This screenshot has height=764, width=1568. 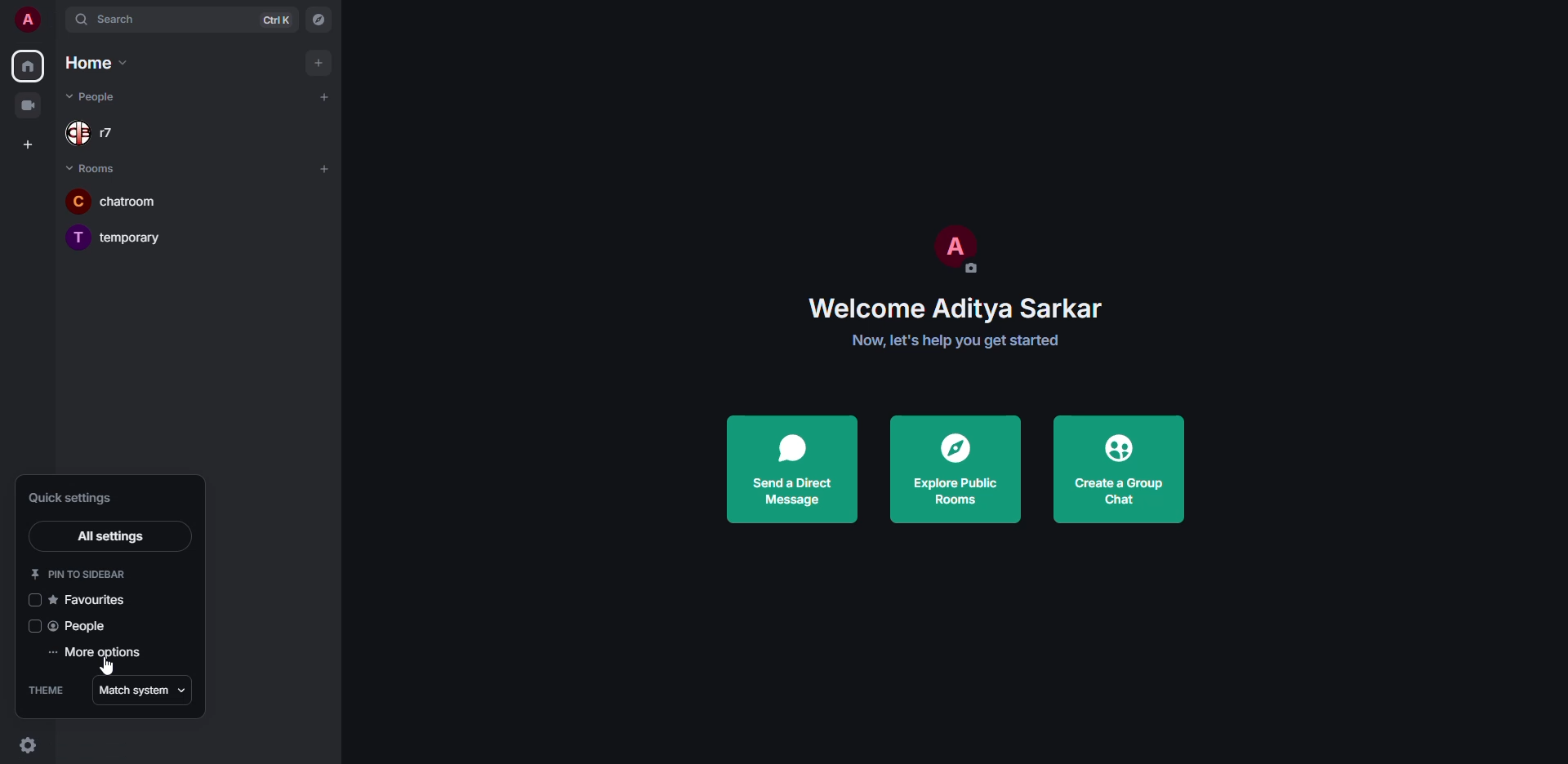 I want to click on get started, so click(x=956, y=340).